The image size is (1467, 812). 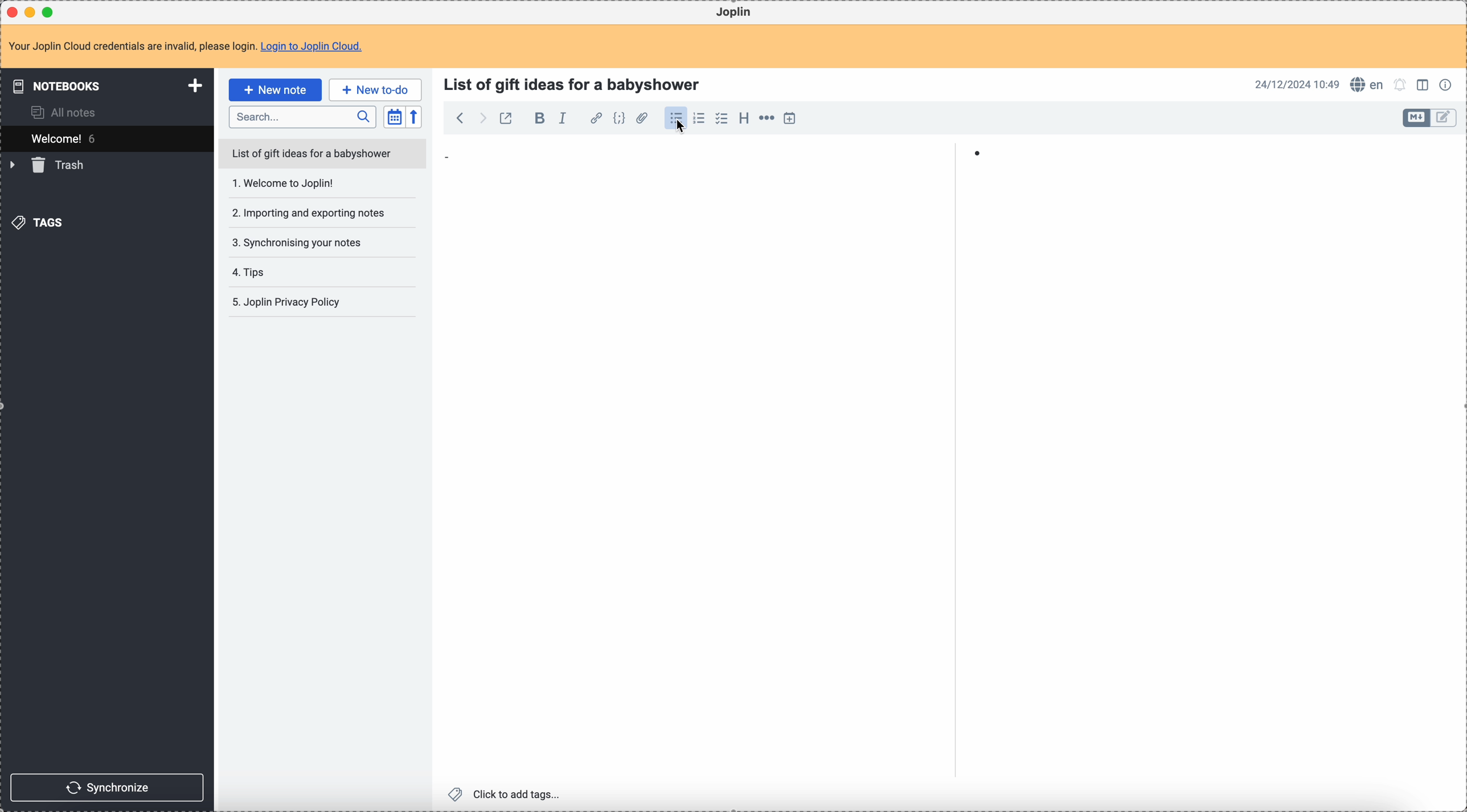 What do you see at coordinates (290, 304) in the screenshot?
I see `joplin privacy policy` at bounding box center [290, 304].